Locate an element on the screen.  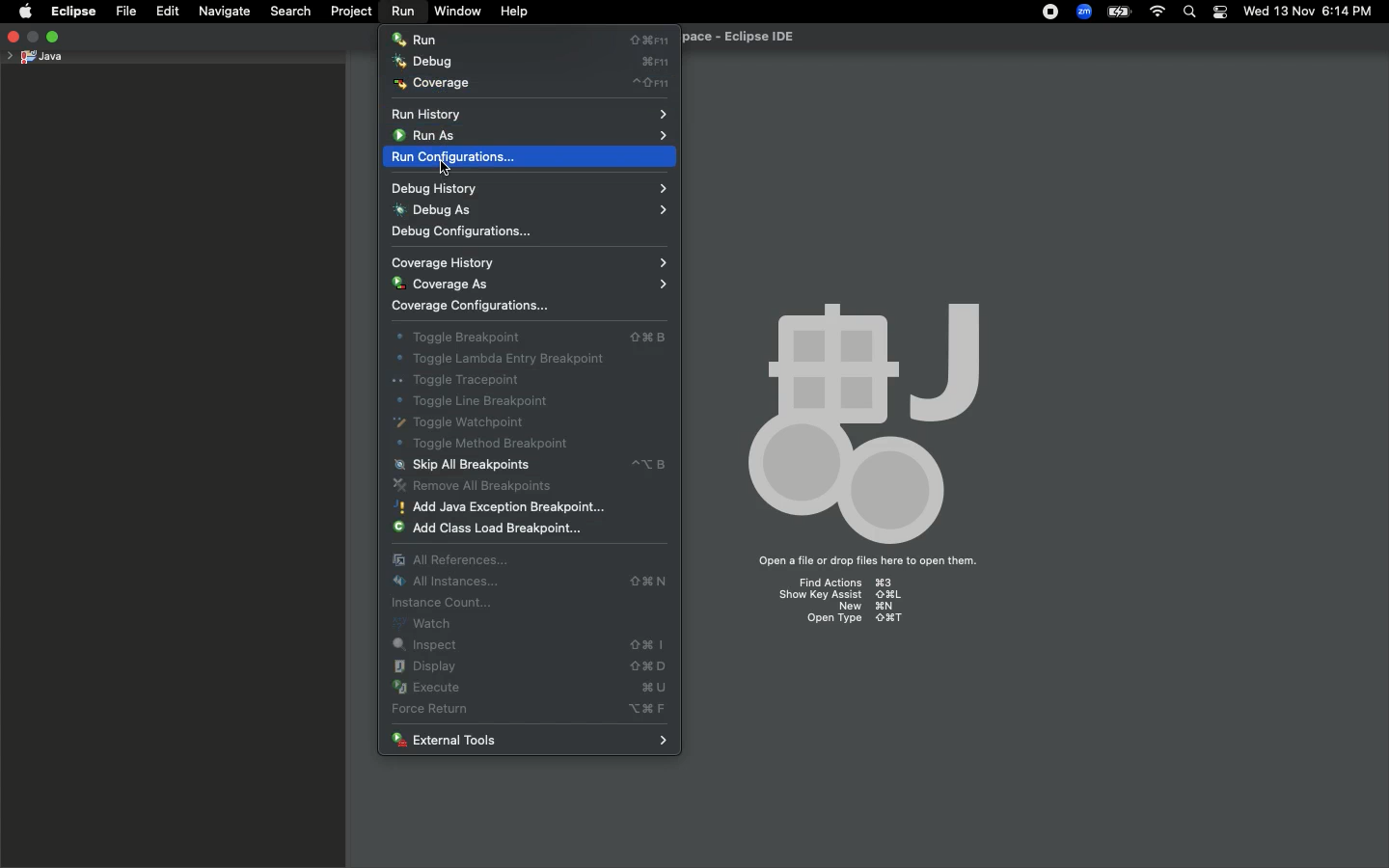
Watch is located at coordinates (425, 624).